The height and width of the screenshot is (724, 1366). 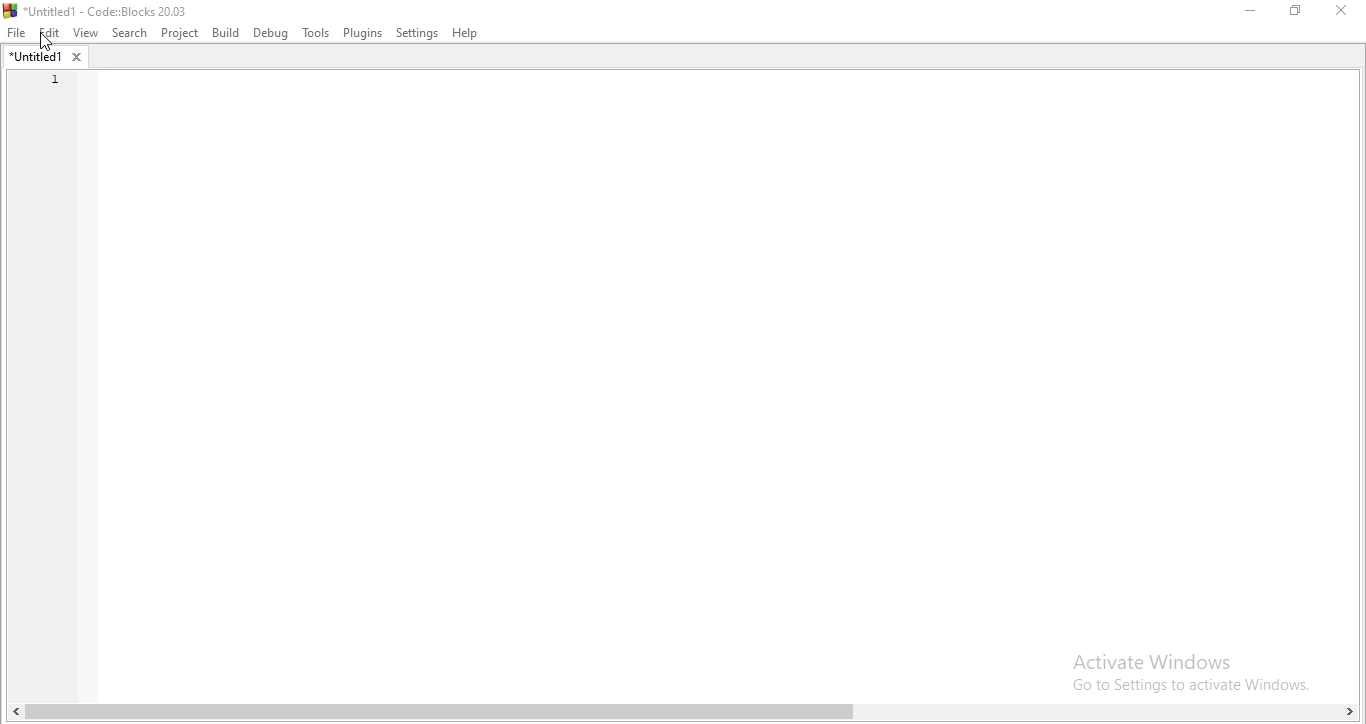 I want to click on cursor, so click(x=48, y=42).